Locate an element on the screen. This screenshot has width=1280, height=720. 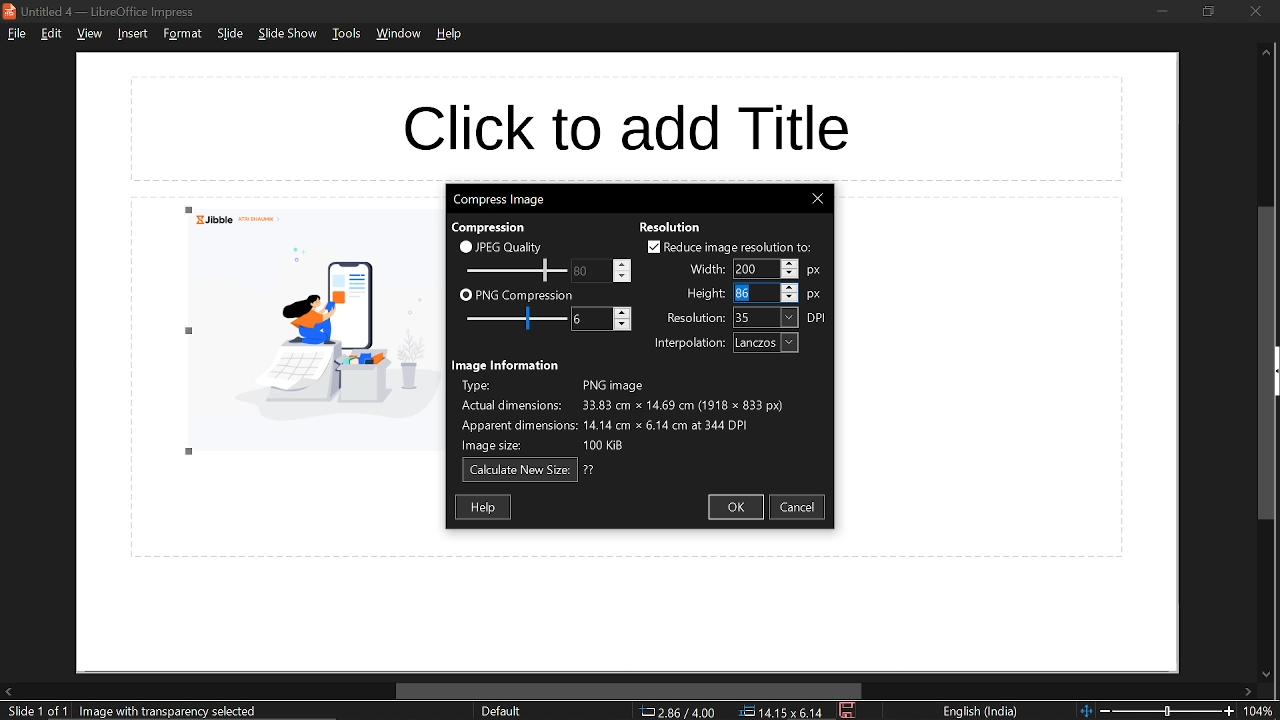
resolution unit: DPI is located at coordinates (818, 318).